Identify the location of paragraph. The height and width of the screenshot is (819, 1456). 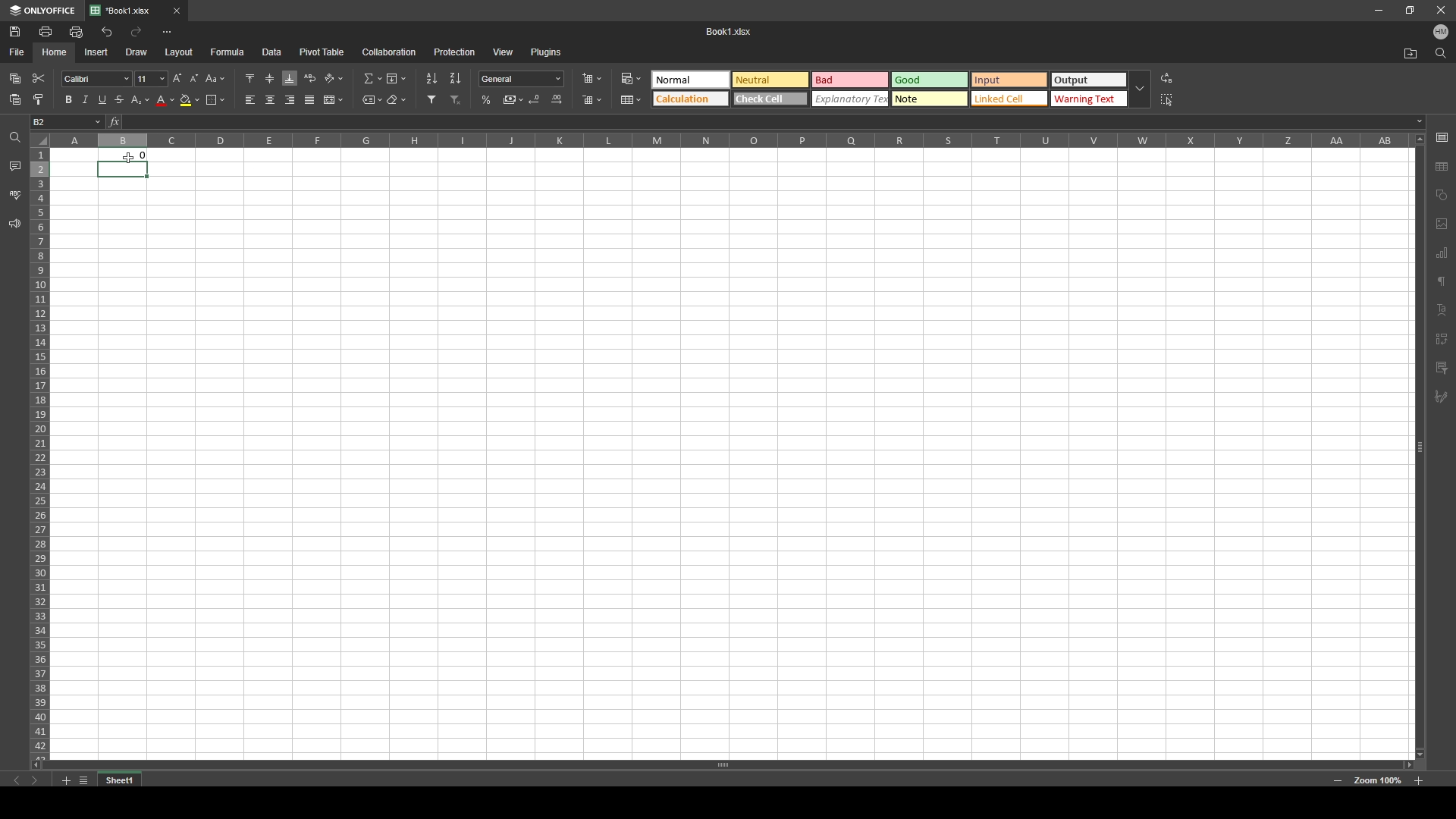
(1443, 280).